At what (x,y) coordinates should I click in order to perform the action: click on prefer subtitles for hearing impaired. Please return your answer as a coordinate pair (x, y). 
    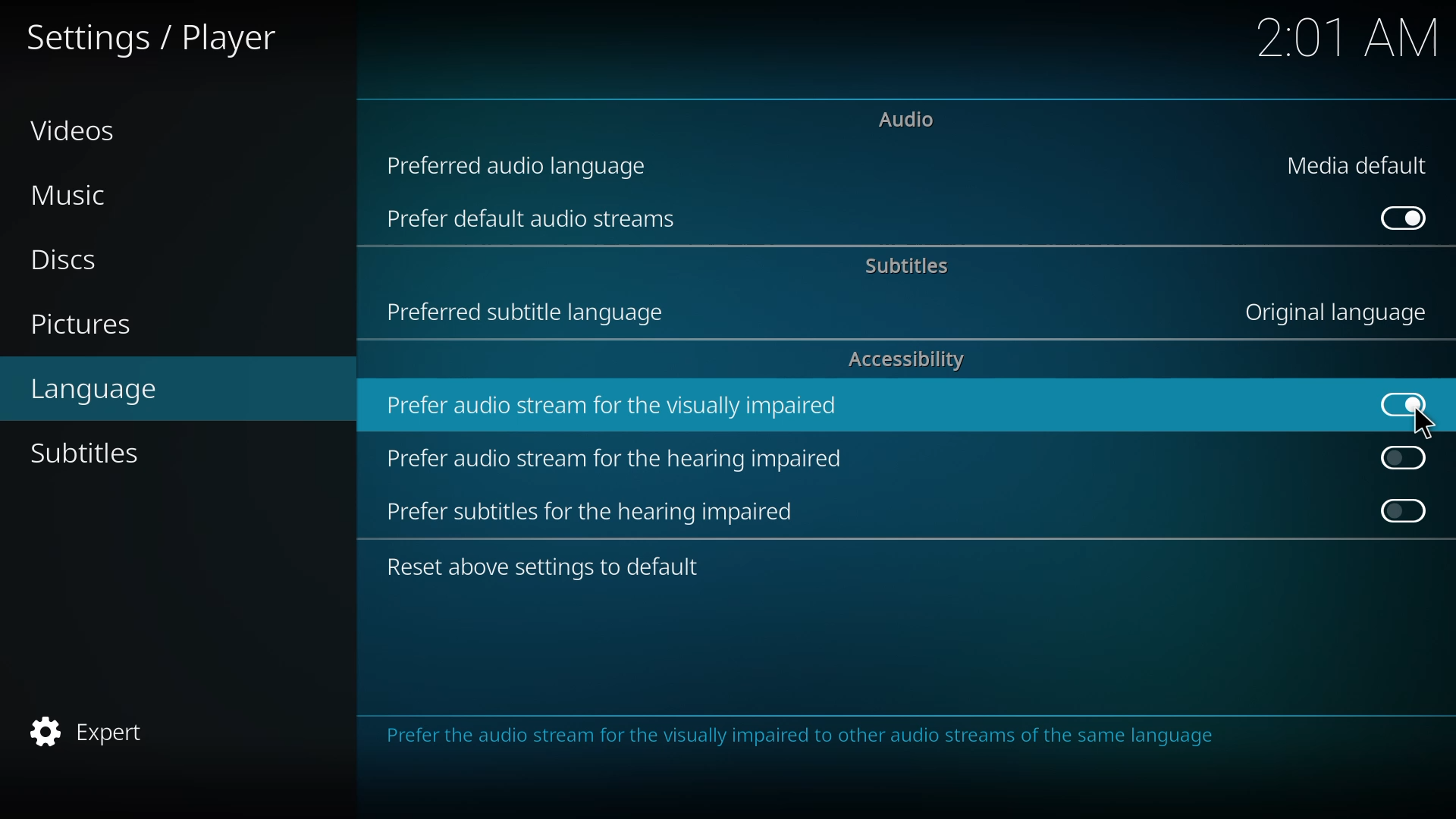
    Looking at the image, I should click on (595, 512).